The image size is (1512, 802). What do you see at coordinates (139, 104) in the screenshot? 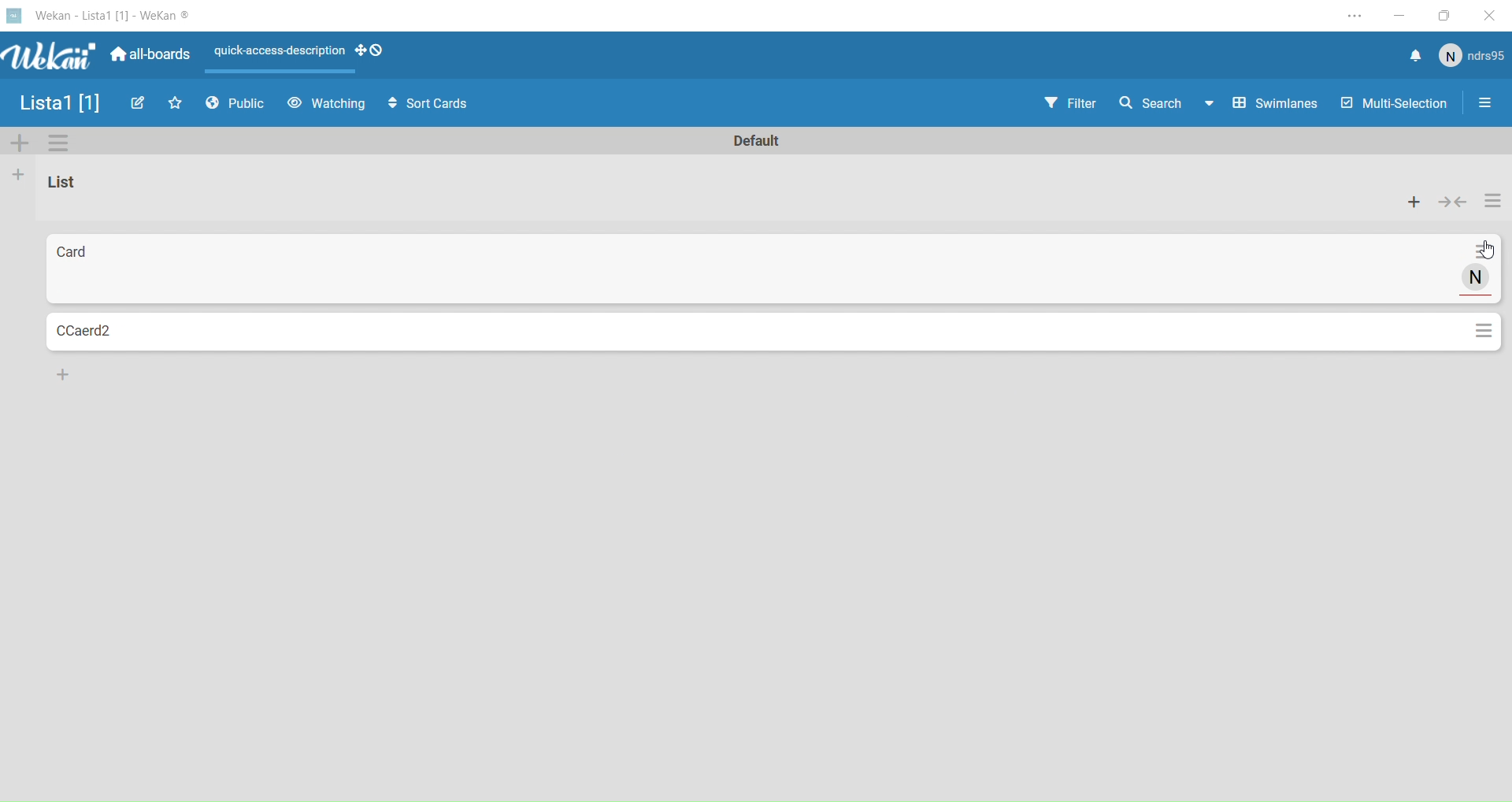
I see `Edit` at bounding box center [139, 104].